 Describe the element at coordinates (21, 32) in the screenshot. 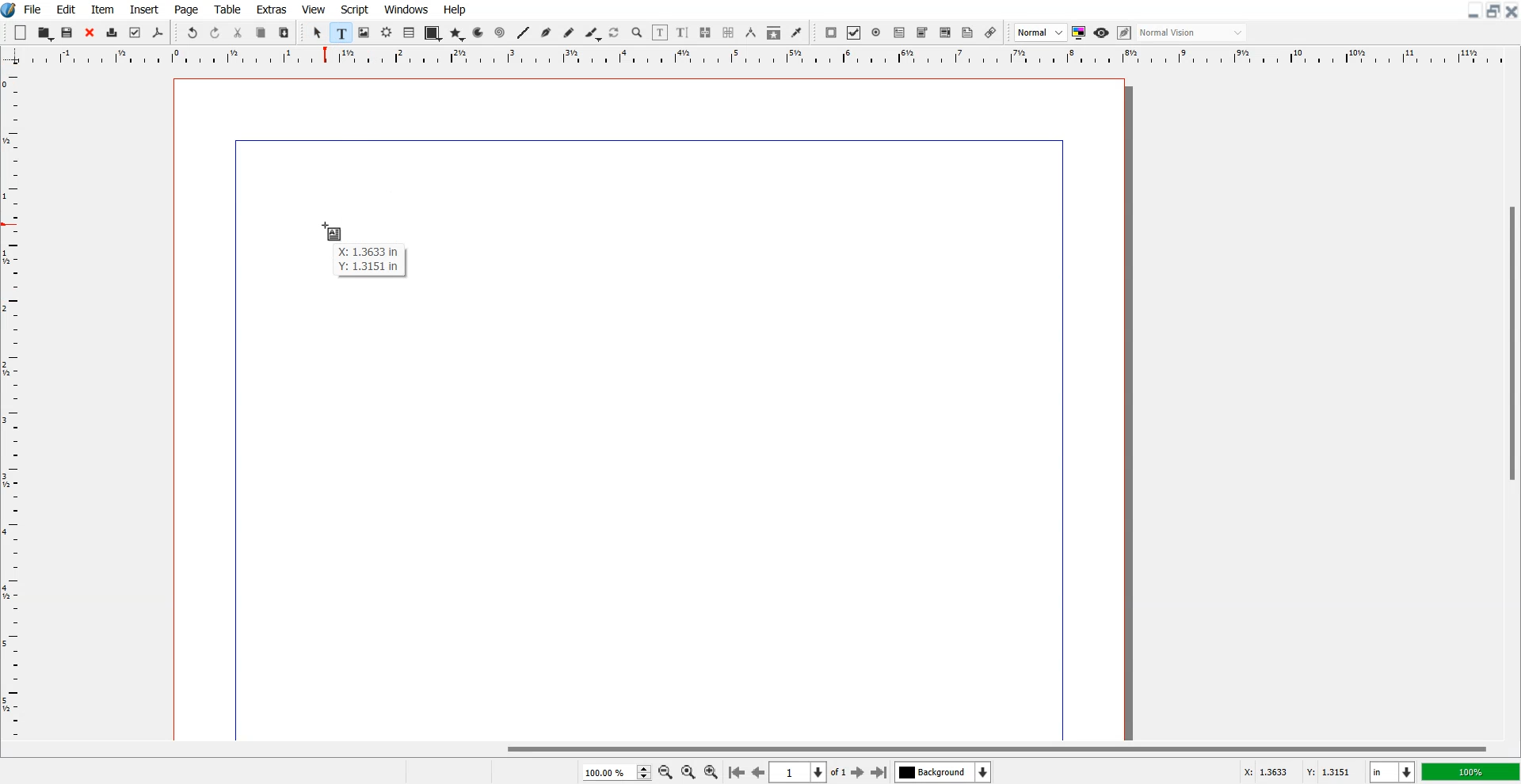

I see `New` at that location.